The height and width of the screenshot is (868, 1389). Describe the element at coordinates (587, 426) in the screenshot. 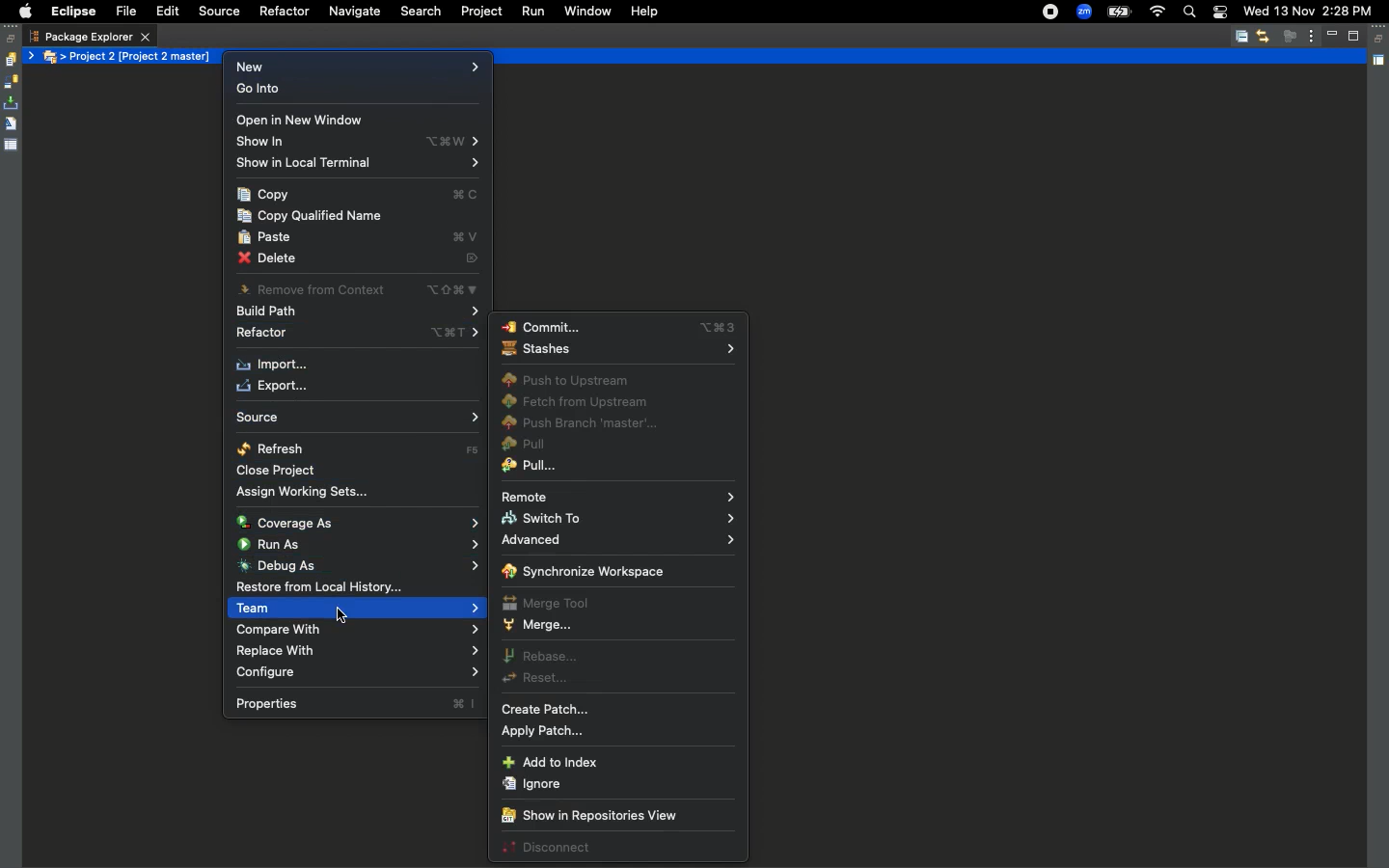

I see `Push branch master` at that location.